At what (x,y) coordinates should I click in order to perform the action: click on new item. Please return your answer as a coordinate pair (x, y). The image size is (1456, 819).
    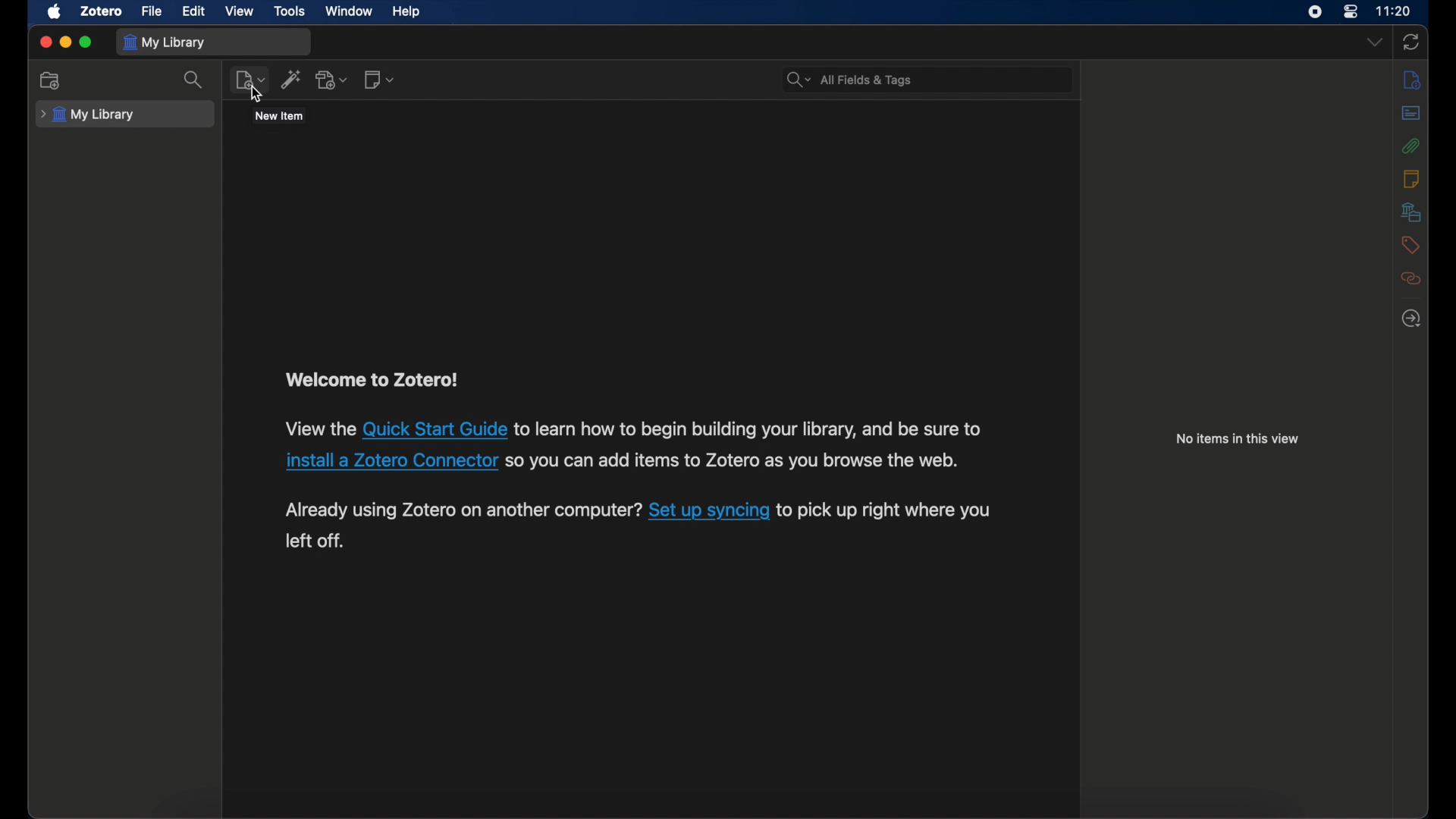
    Looking at the image, I should click on (249, 80).